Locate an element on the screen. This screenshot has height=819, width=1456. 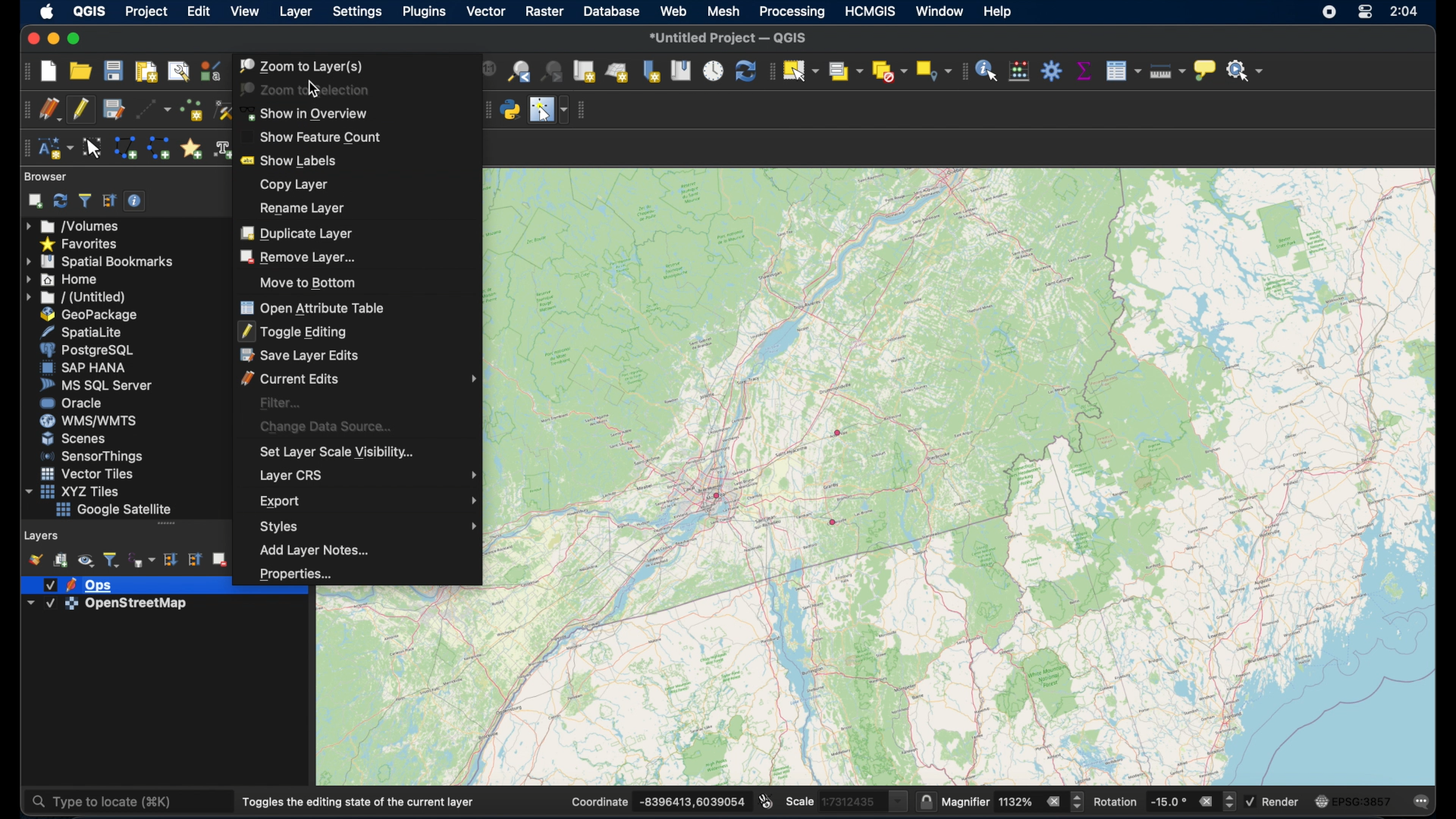
copy layer is located at coordinates (290, 185).